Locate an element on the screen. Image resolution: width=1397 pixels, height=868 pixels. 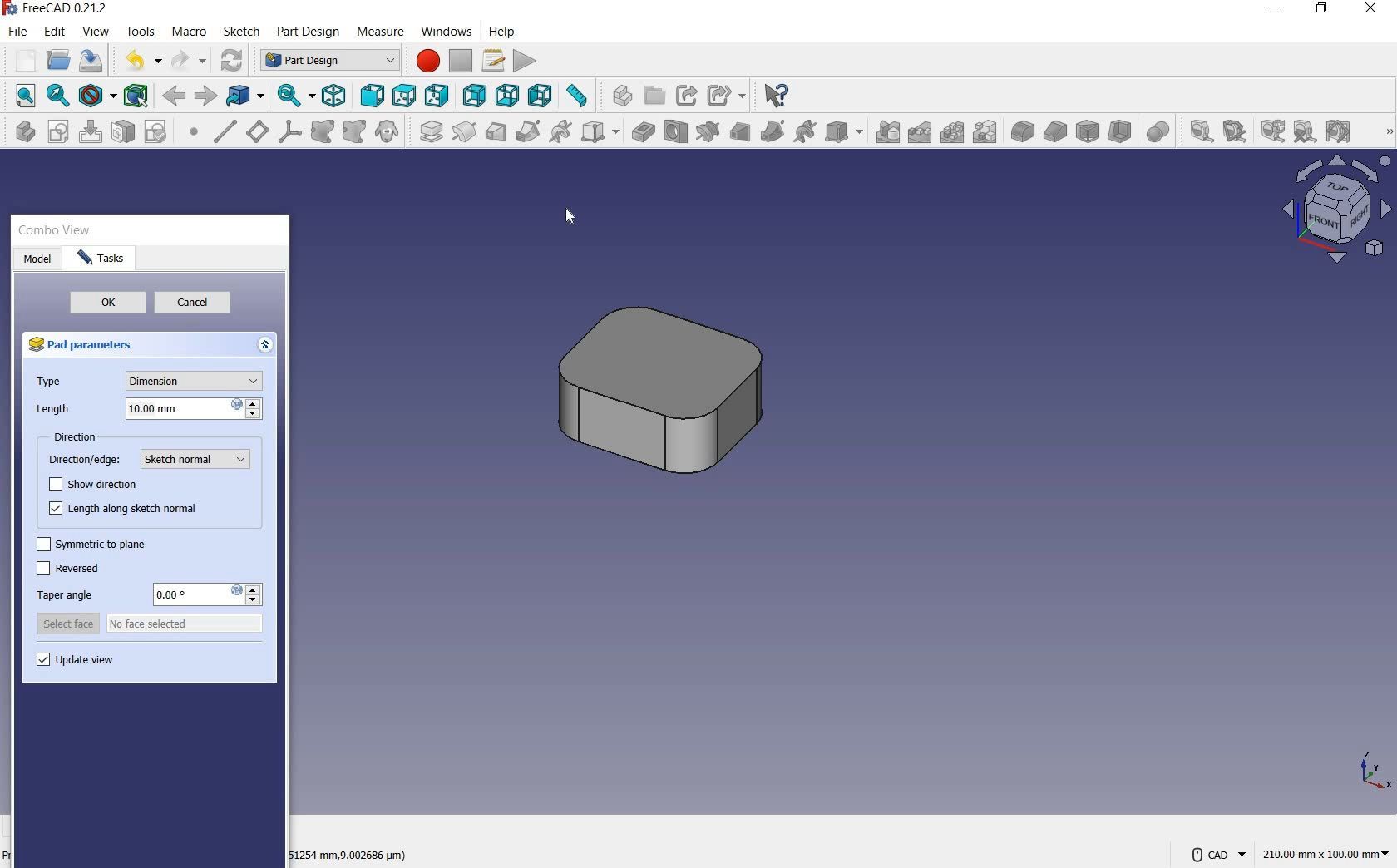
additive loft is located at coordinates (496, 134).